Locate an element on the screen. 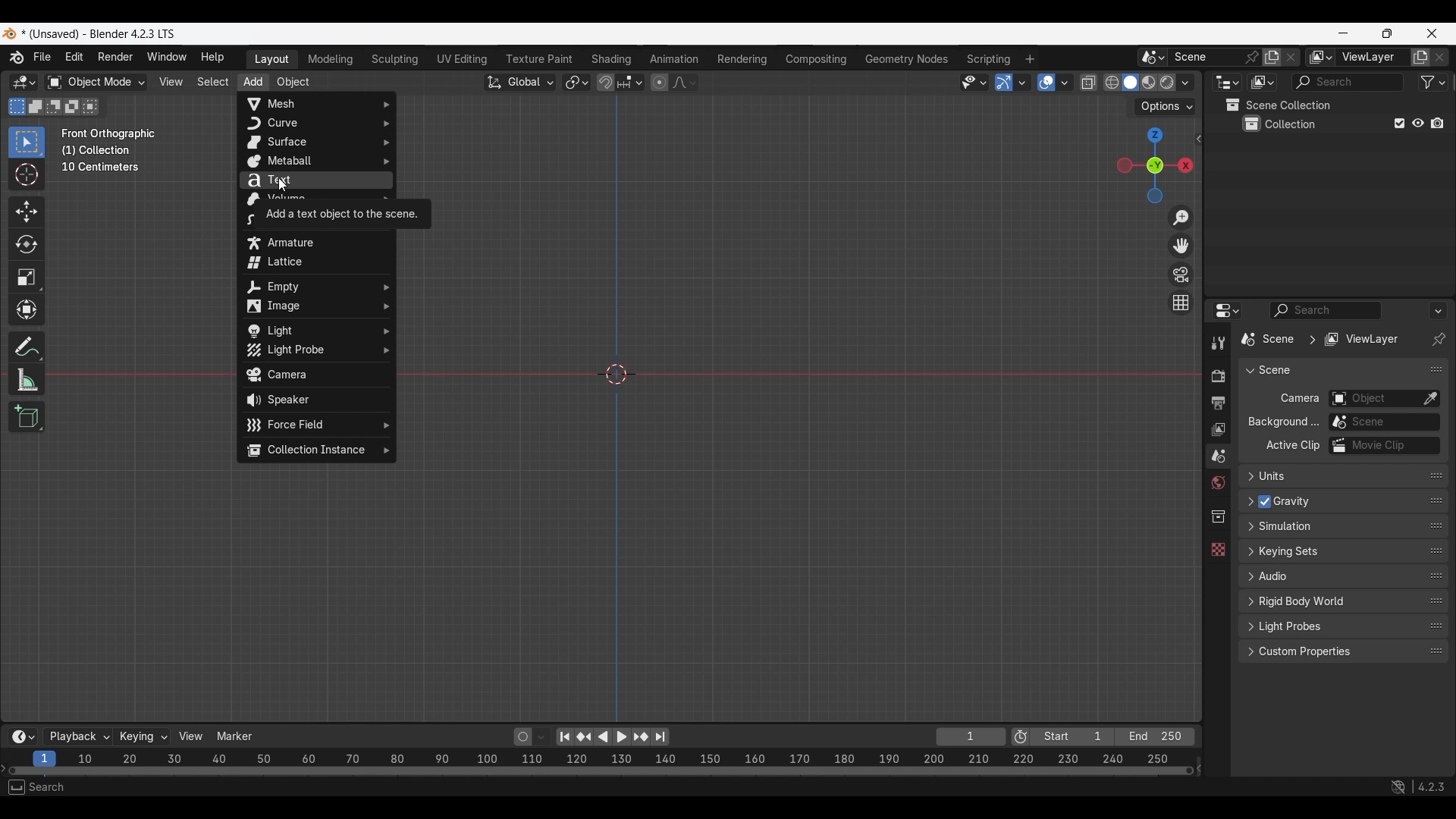  Active Clip is located at coordinates (1290, 446).